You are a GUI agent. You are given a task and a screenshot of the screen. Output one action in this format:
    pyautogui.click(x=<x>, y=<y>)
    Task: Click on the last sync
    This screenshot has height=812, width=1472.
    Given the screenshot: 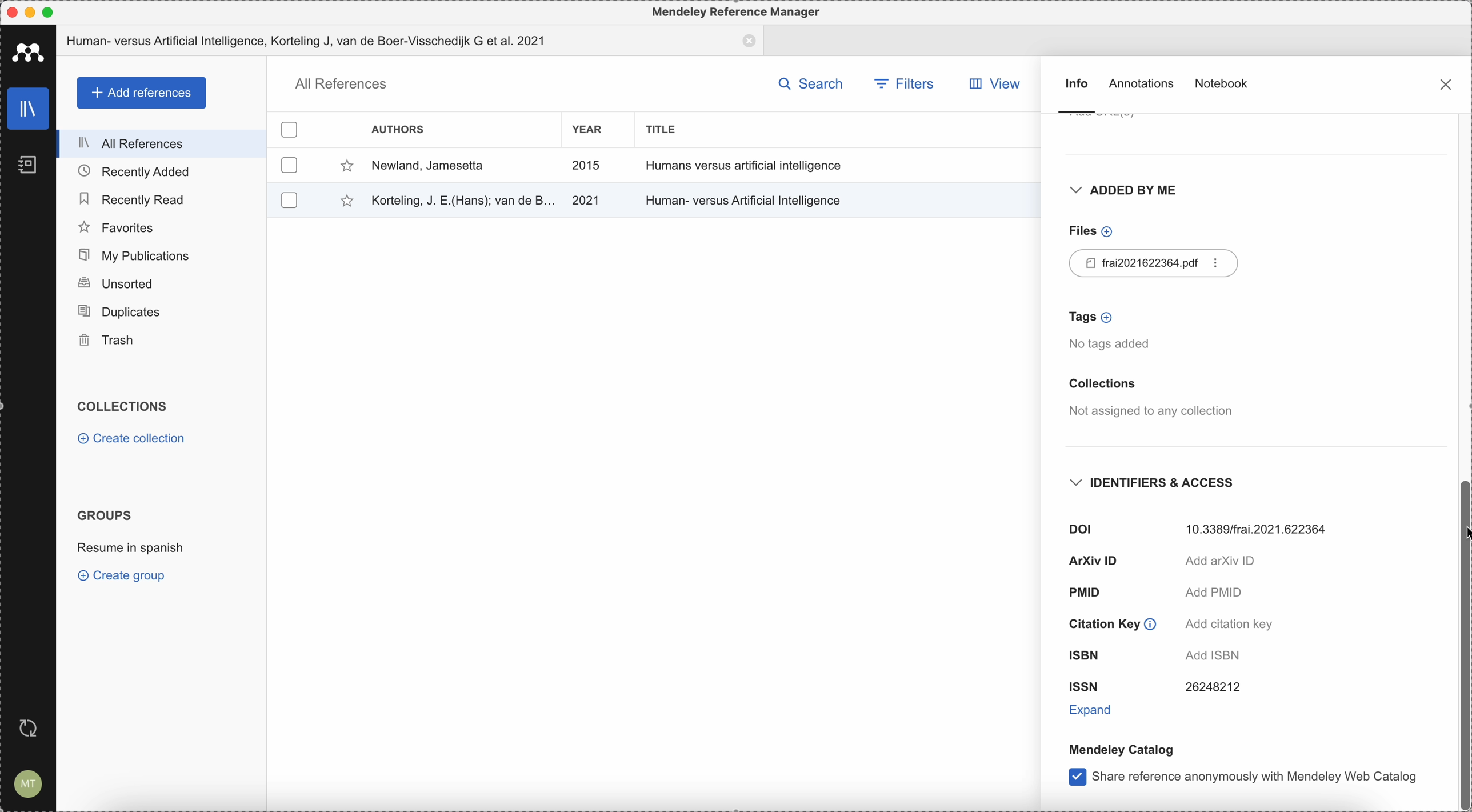 What is the action you would take?
    pyautogui.click(x=33, y=726)
    